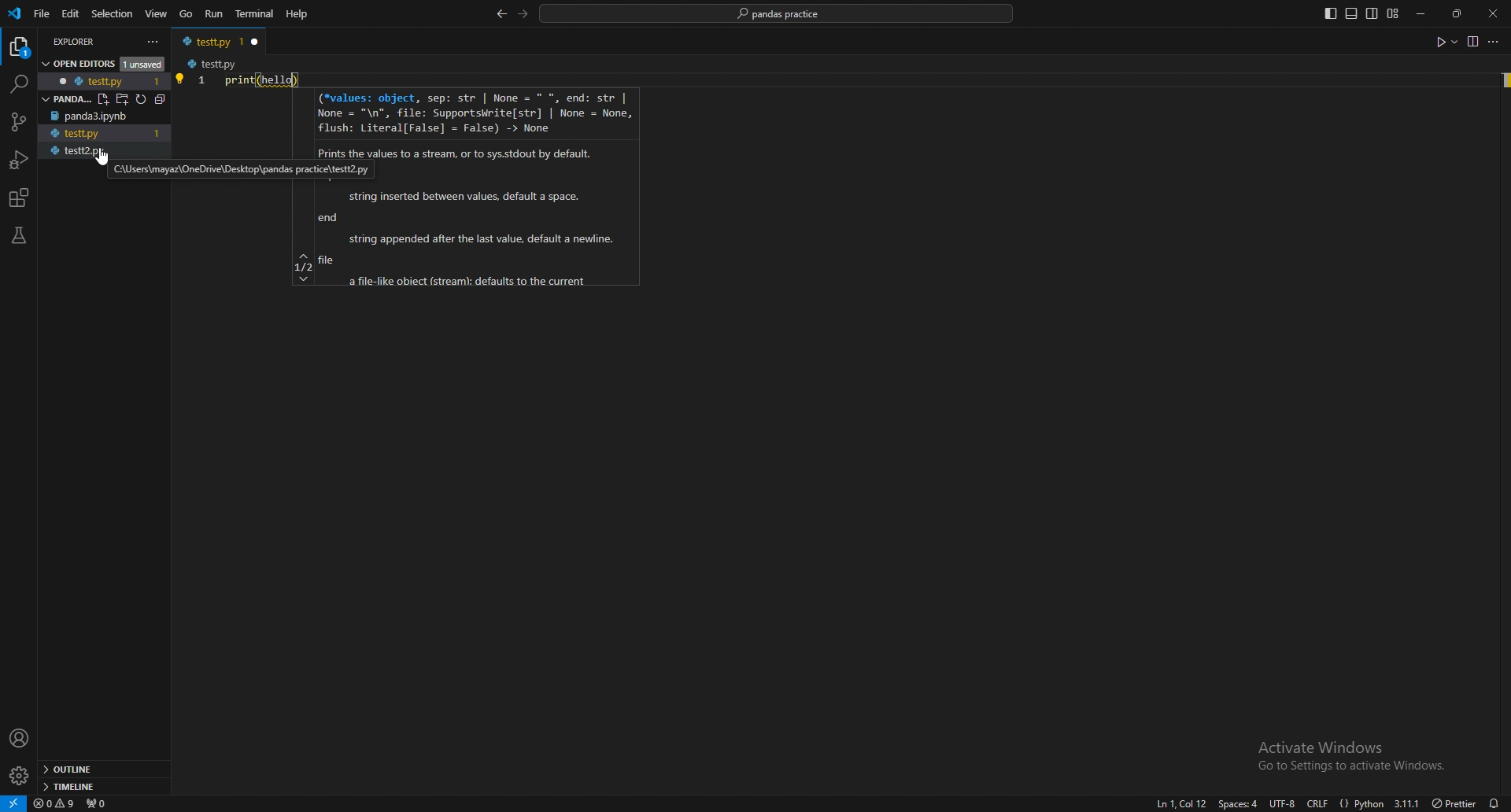  Describe the element at coordinates (101, 770) in the screenshot. I see `outline` at that location.